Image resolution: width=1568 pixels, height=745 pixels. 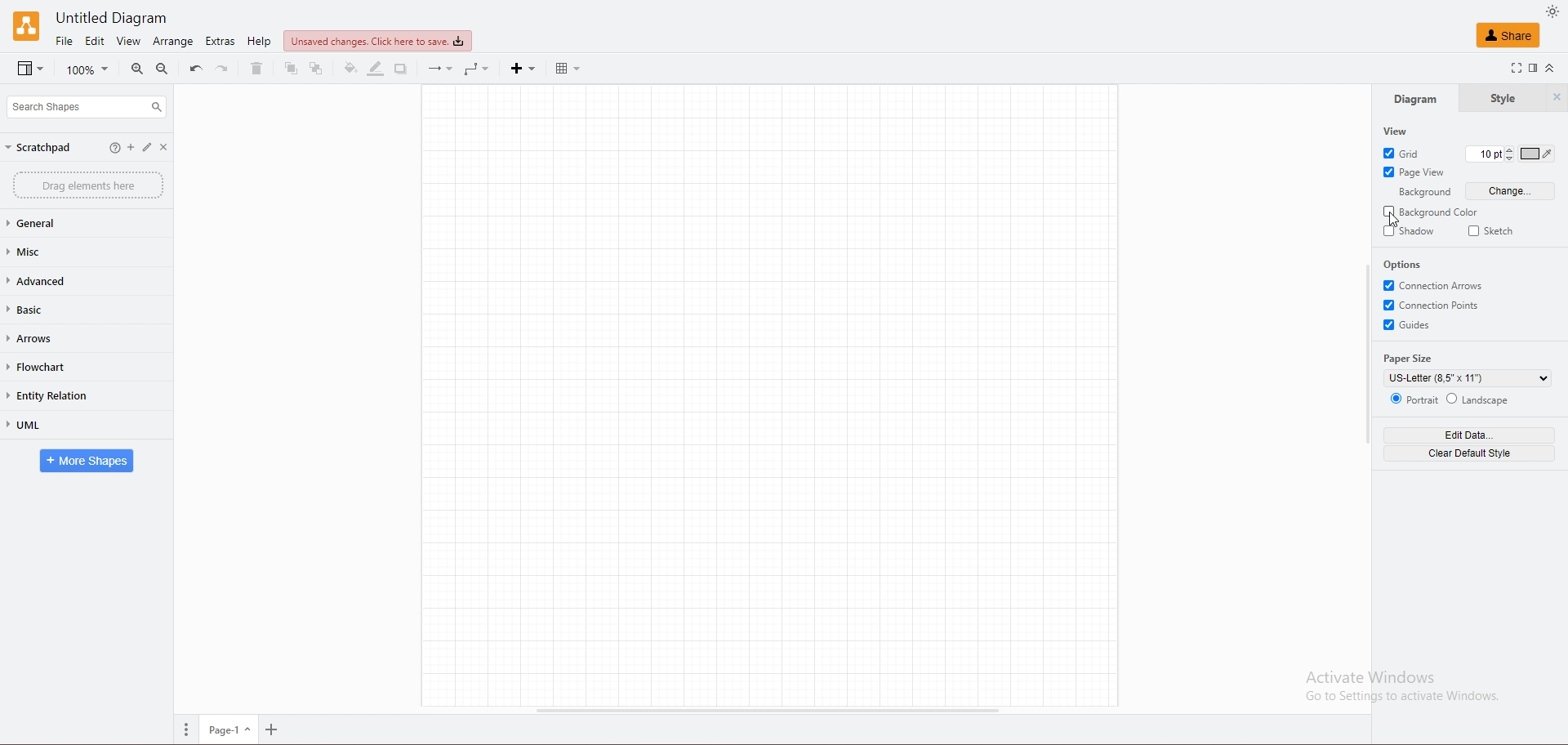 What do you see at coordinates (65, 395) in the screenshot?
I see `entity relation` at bounding box center [65, 395].